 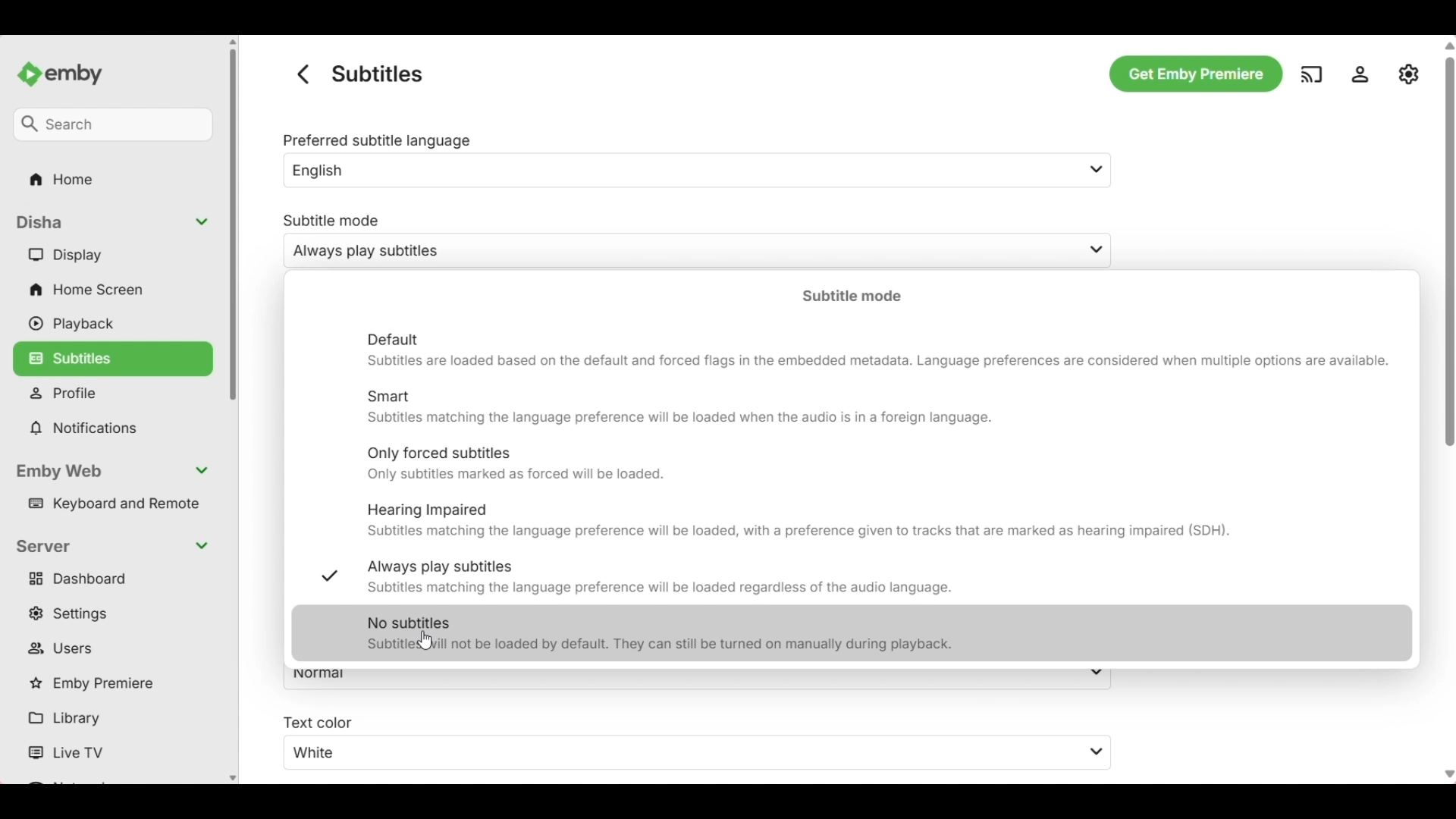 I want to click on Set subtitle mode, so click(x=679, y=241).